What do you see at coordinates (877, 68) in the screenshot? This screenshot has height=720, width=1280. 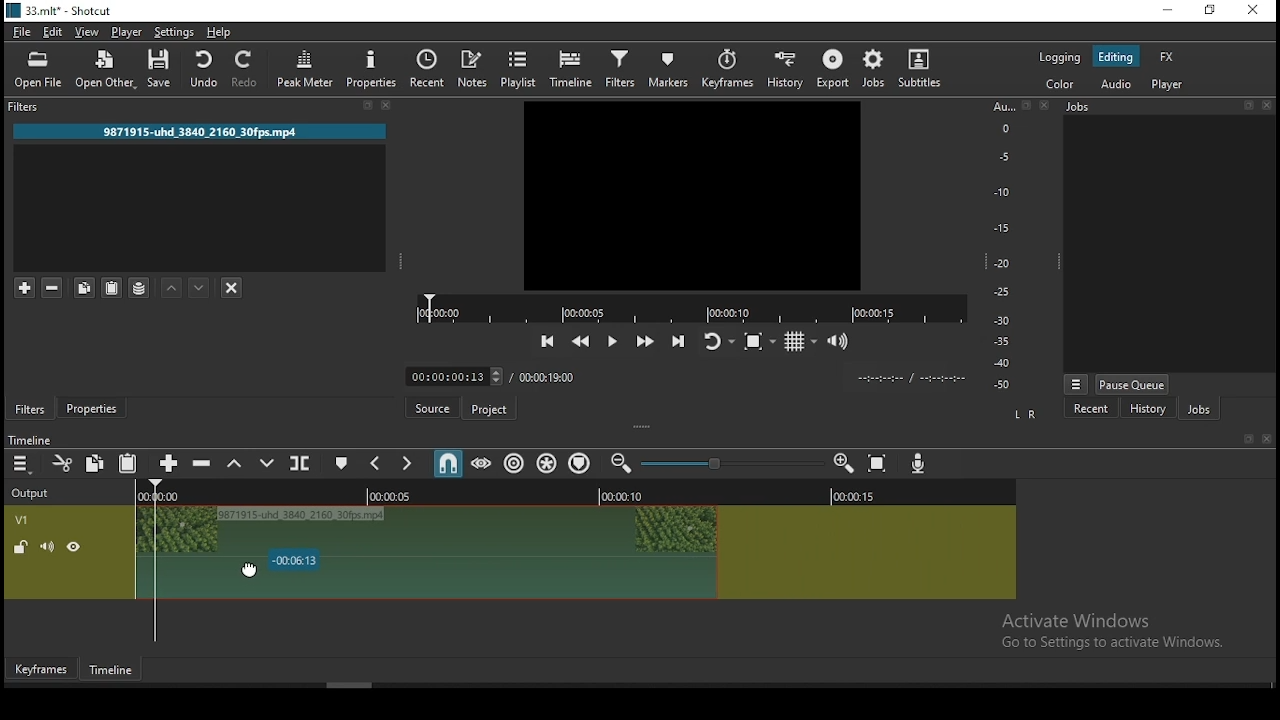 I see `jobs` at bounding box center [877, 68].